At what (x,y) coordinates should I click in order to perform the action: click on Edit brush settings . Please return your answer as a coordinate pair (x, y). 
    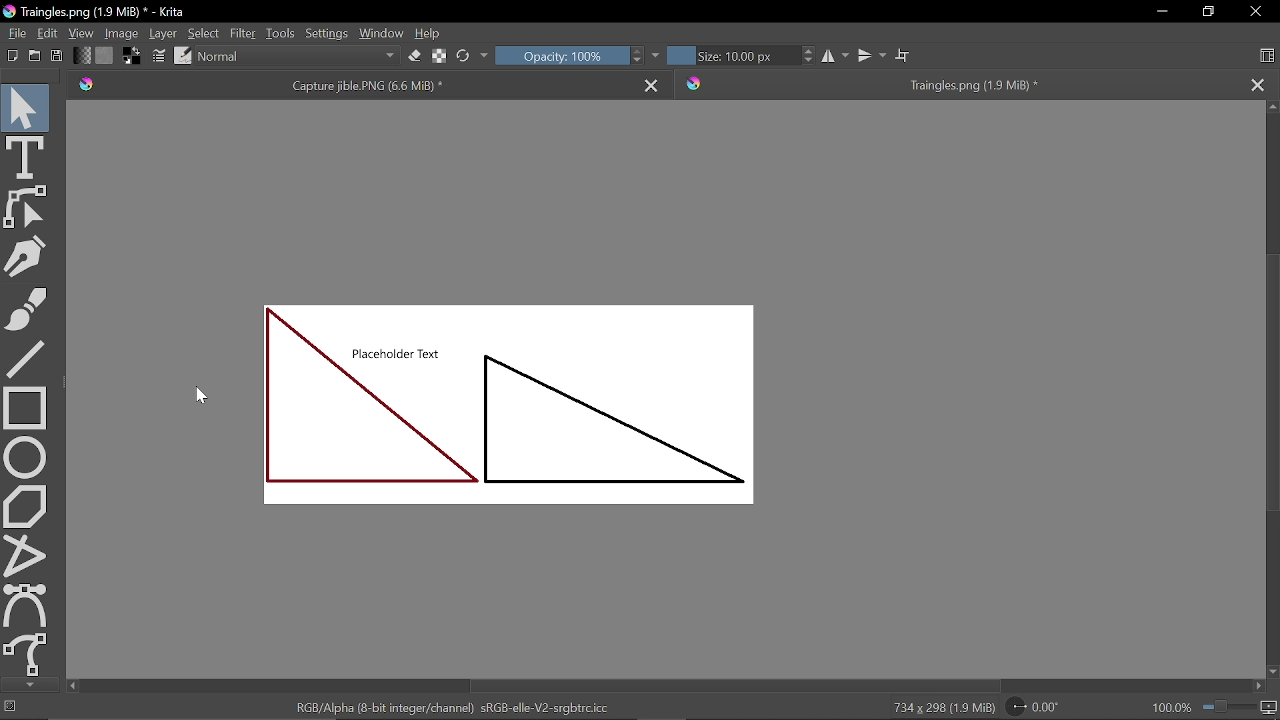
    Looking at the image, I should click on (160, 57).